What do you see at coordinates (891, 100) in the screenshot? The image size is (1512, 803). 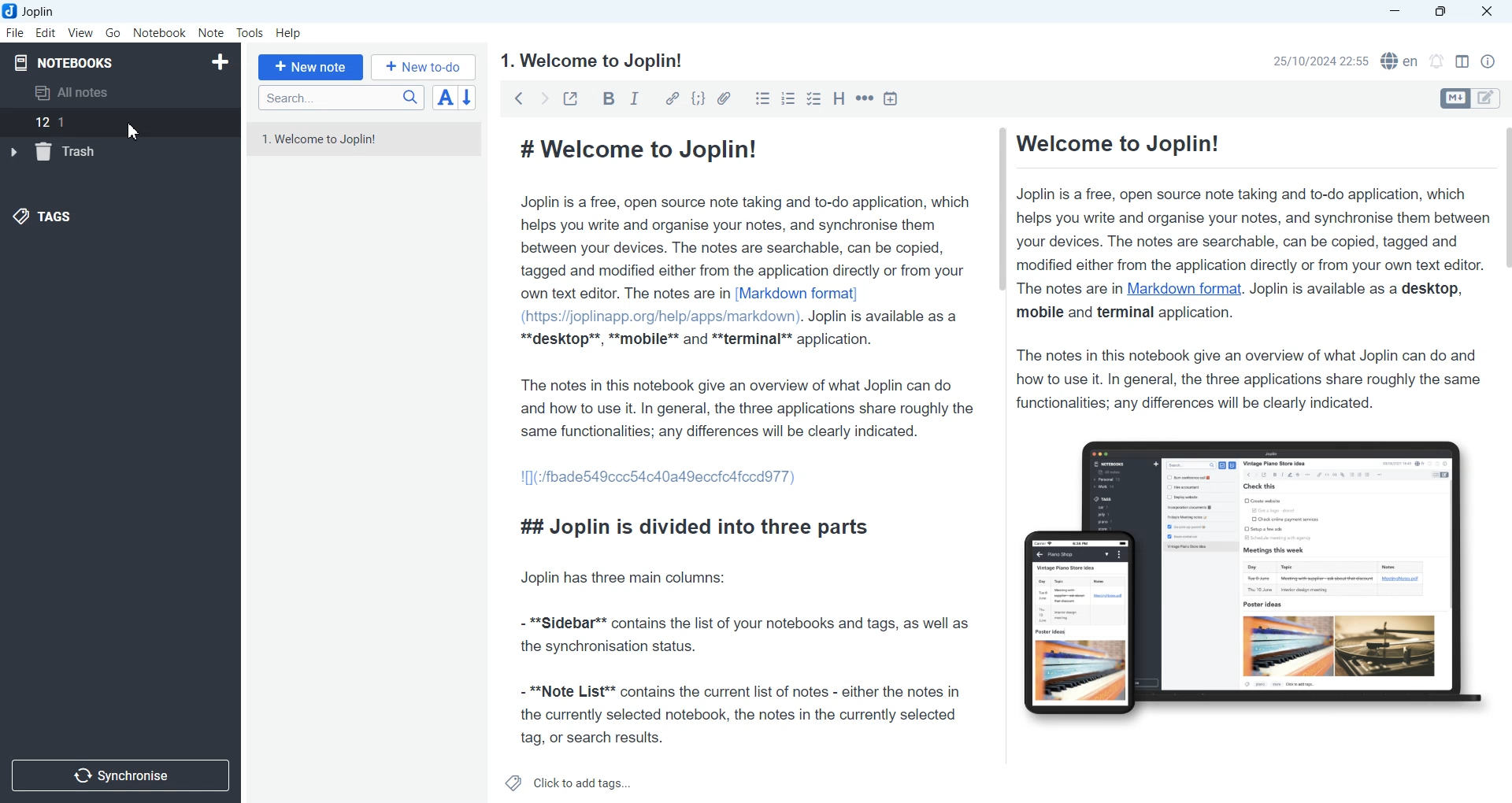 I see `Insert Time` at bounding box center [891, 100].